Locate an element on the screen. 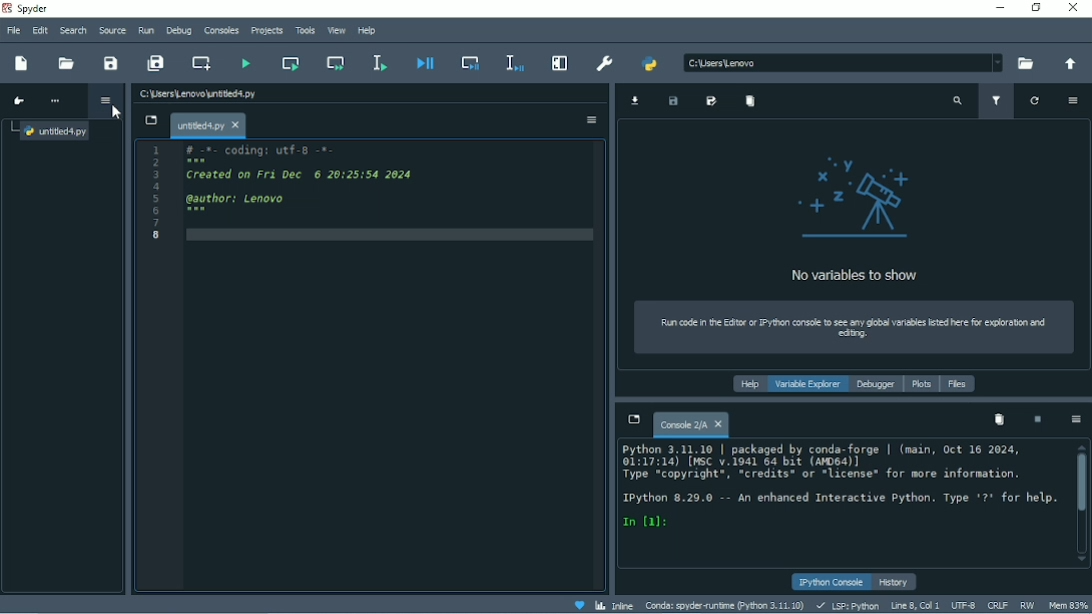 The image size is (1092, 614). Save data is located at coordinates (673, 101).